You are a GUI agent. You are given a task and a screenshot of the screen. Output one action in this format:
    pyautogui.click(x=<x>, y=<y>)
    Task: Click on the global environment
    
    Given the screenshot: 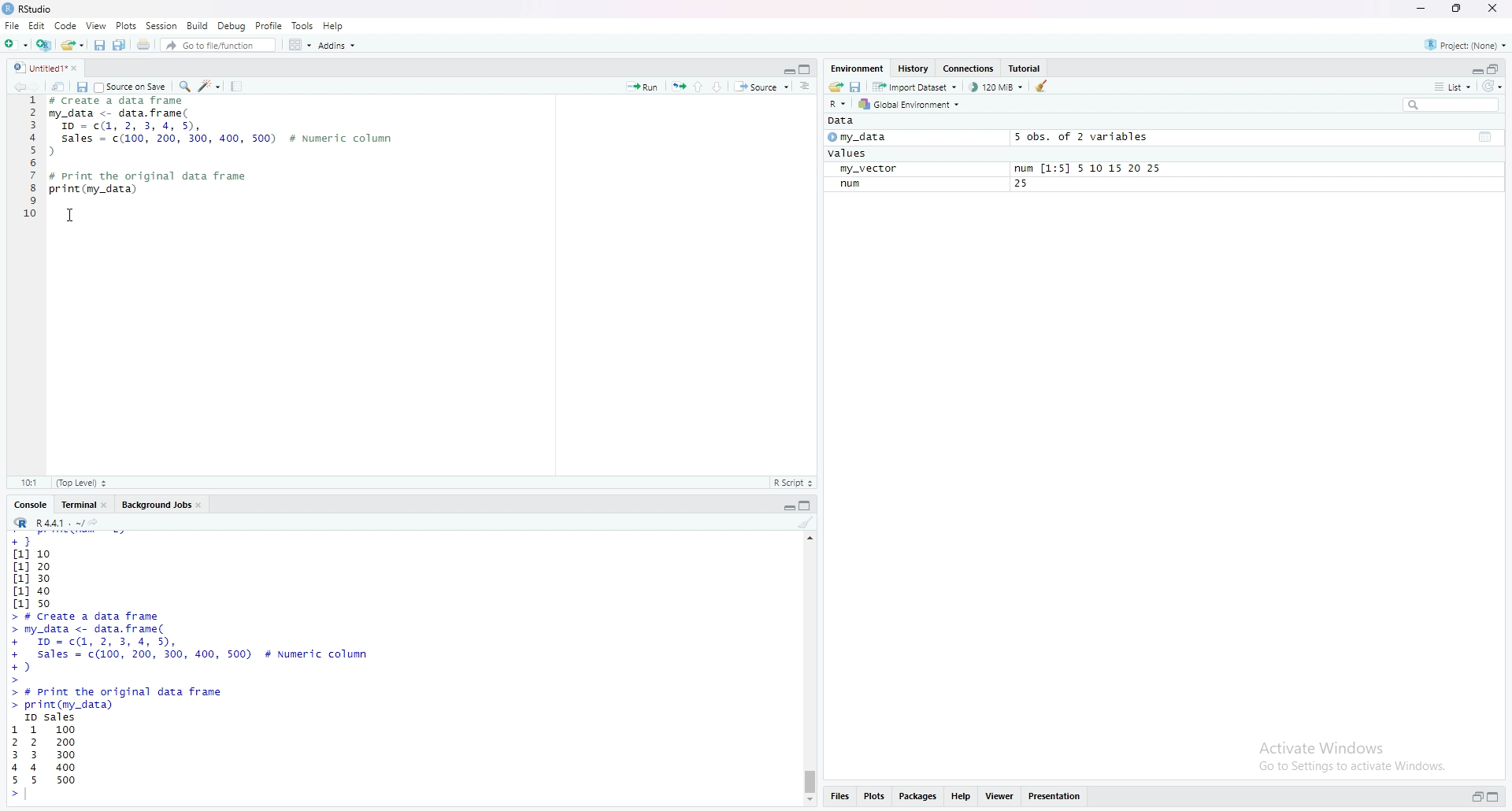 What is the action you would take?
    pyautogui.click(x=915, y=106)
    